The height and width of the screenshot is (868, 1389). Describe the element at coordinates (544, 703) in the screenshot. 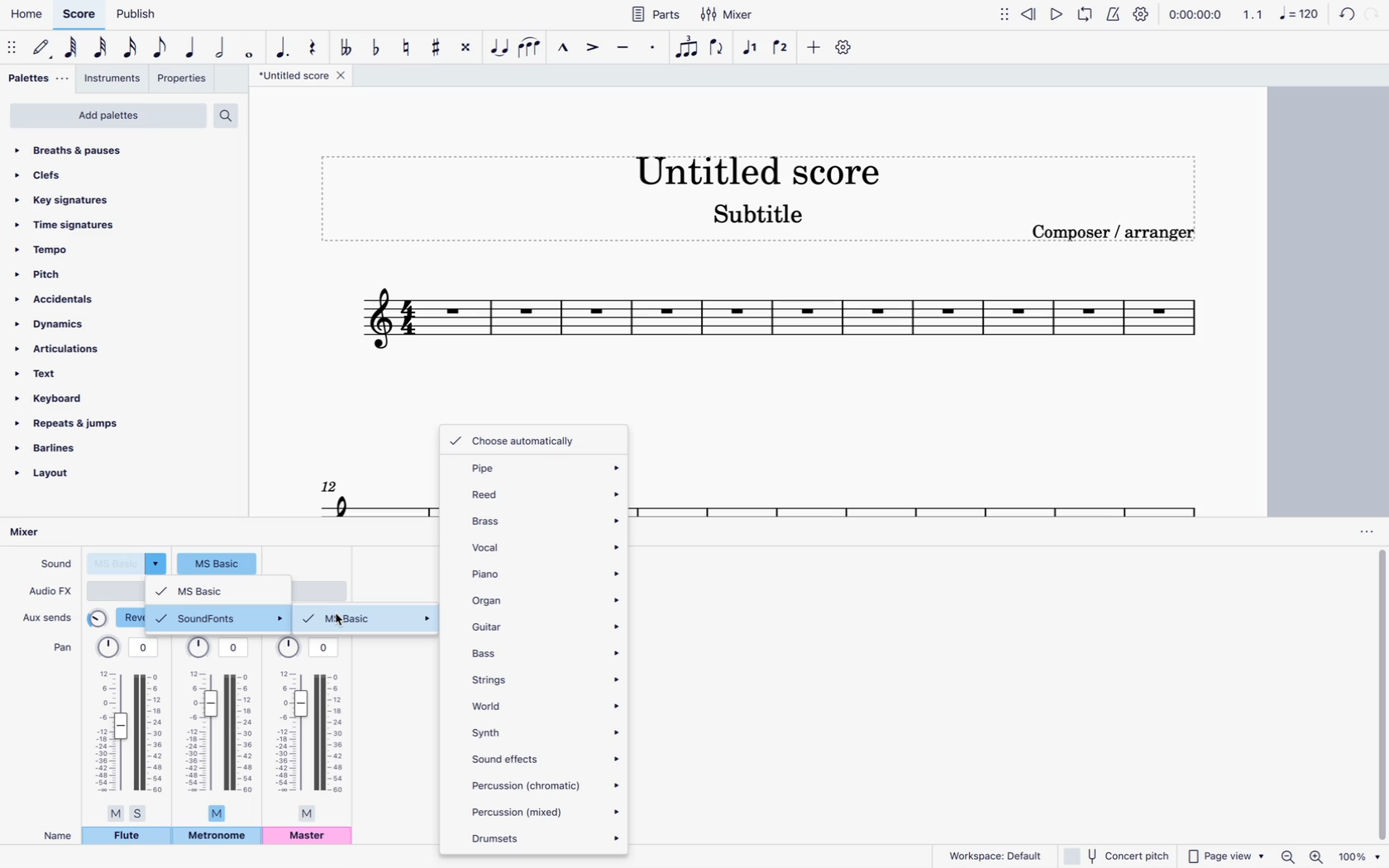

I see `world` at that location.